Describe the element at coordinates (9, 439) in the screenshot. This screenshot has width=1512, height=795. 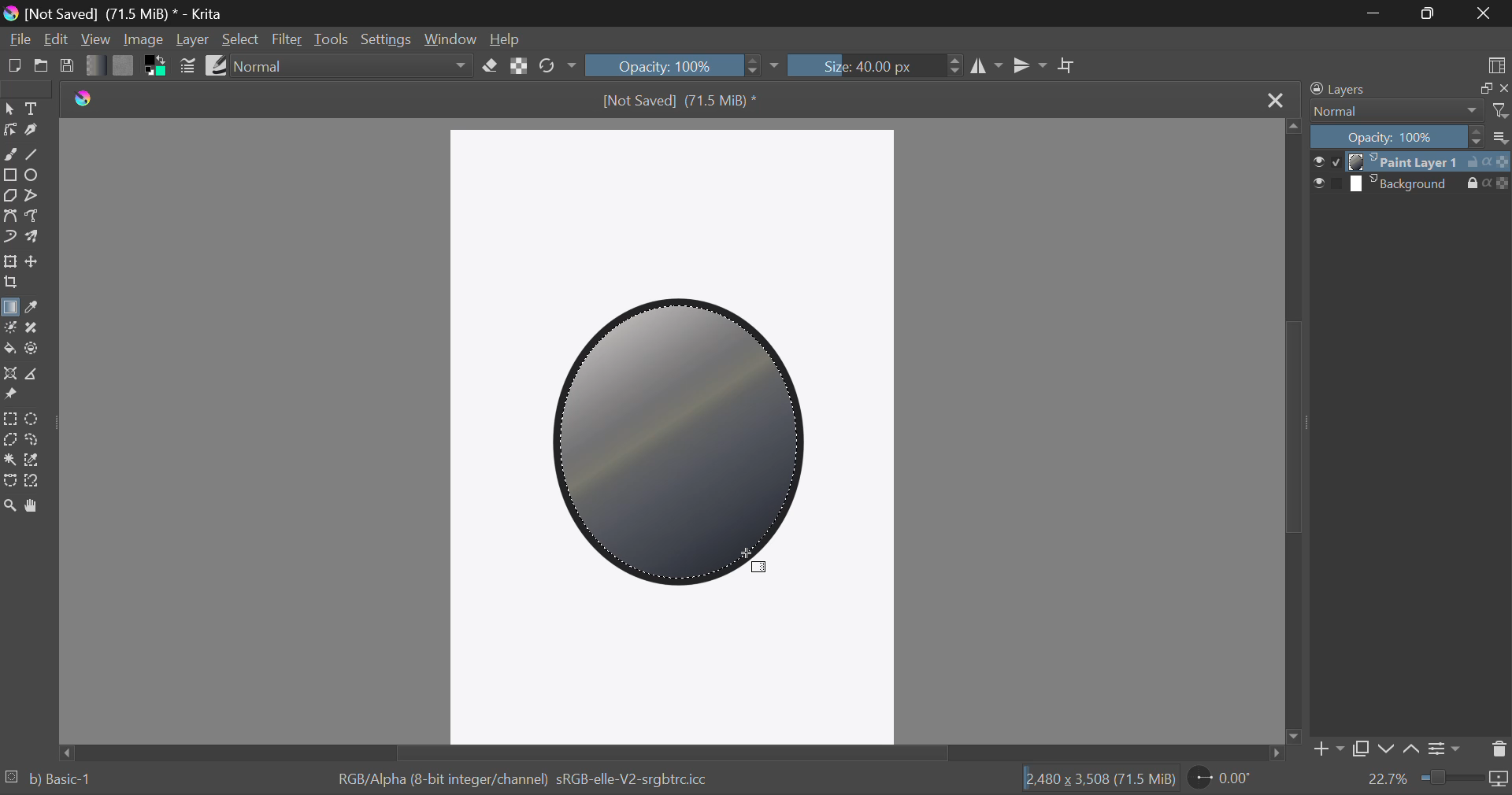
I see `Polygon Selection Tool` at that location.